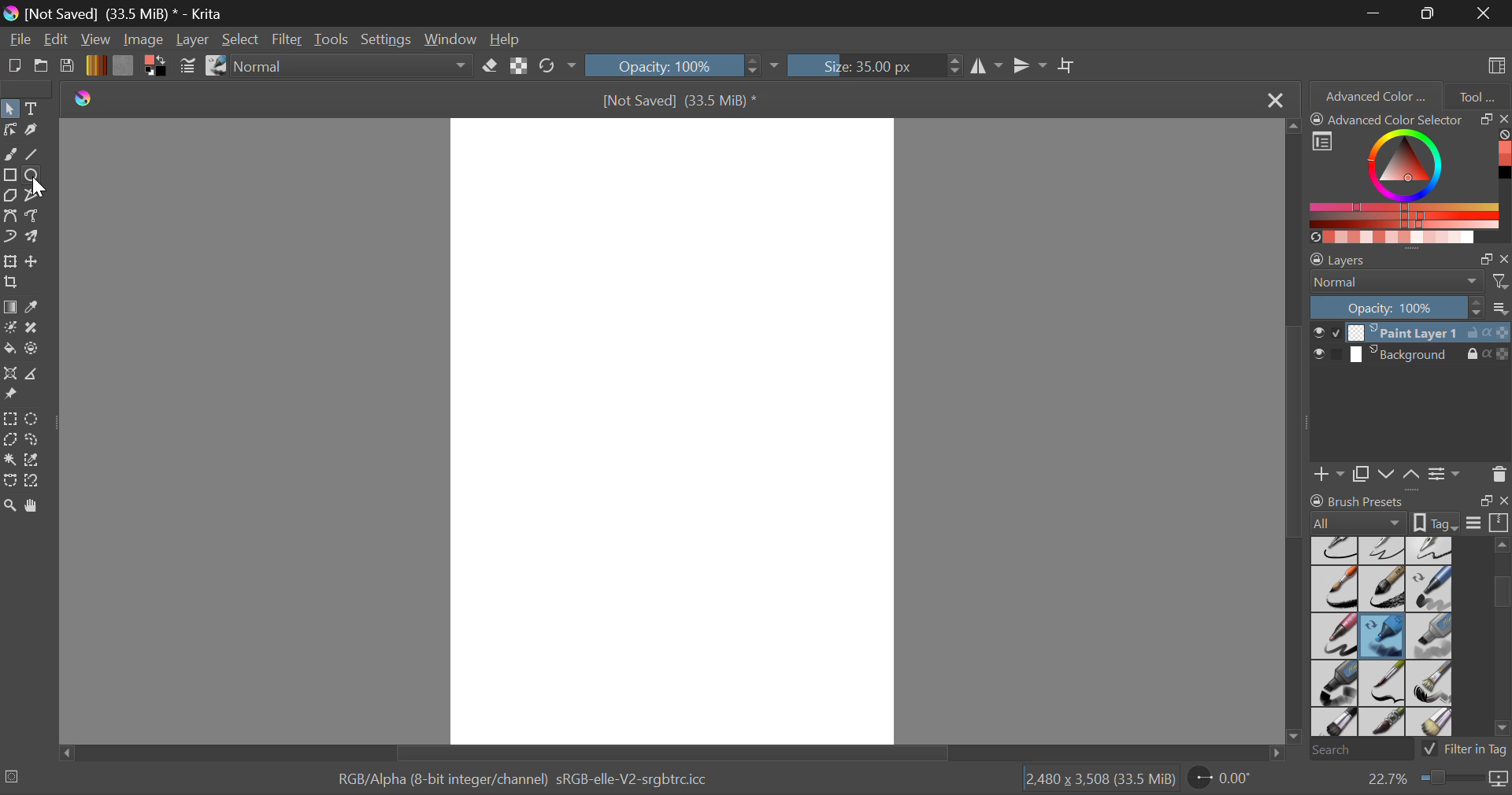 The image size is (1512, 795). I want to click on Opacity 100%, so click(672, 65).